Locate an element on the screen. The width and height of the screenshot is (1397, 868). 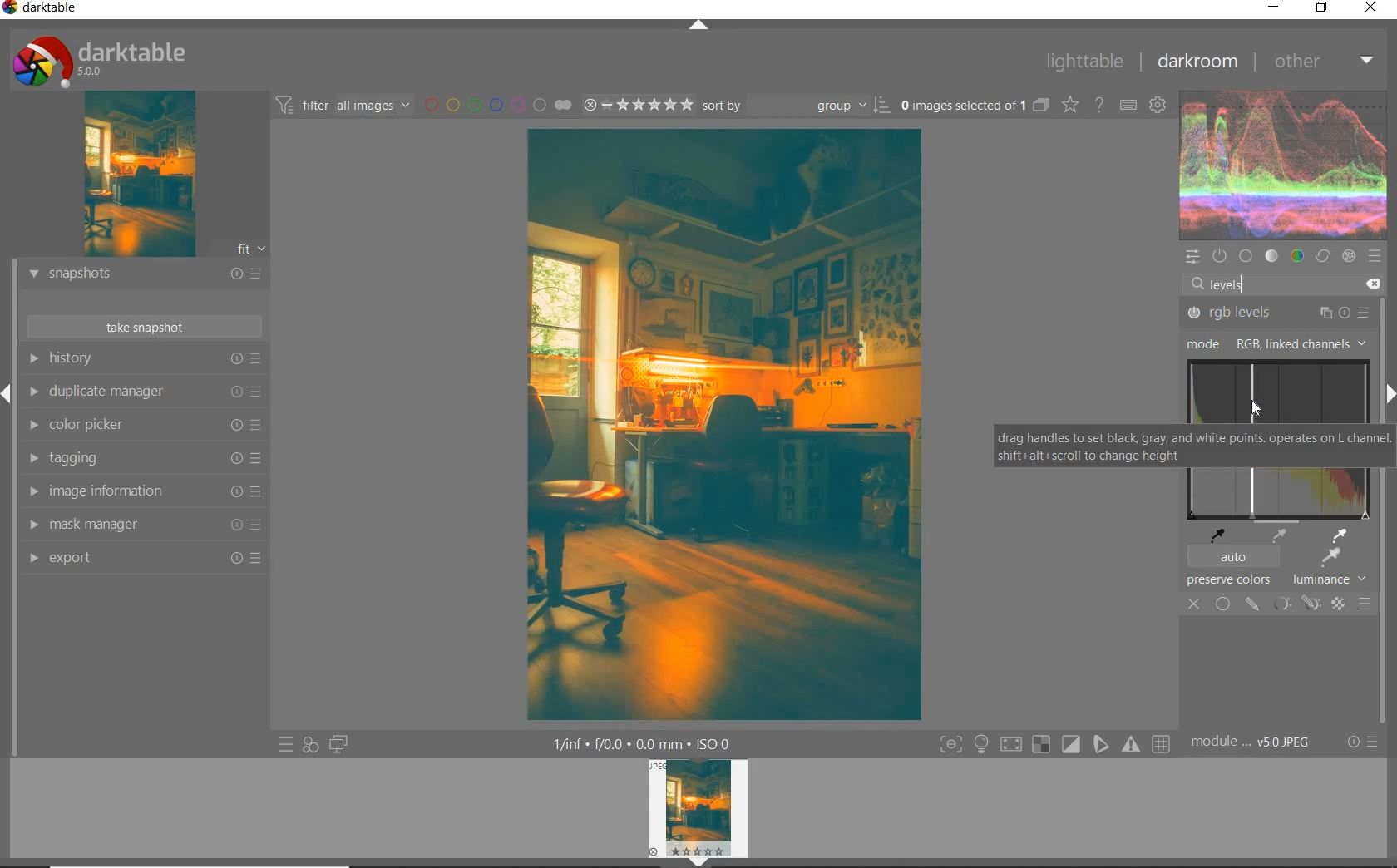
system name is located at coordinates (43, 9).